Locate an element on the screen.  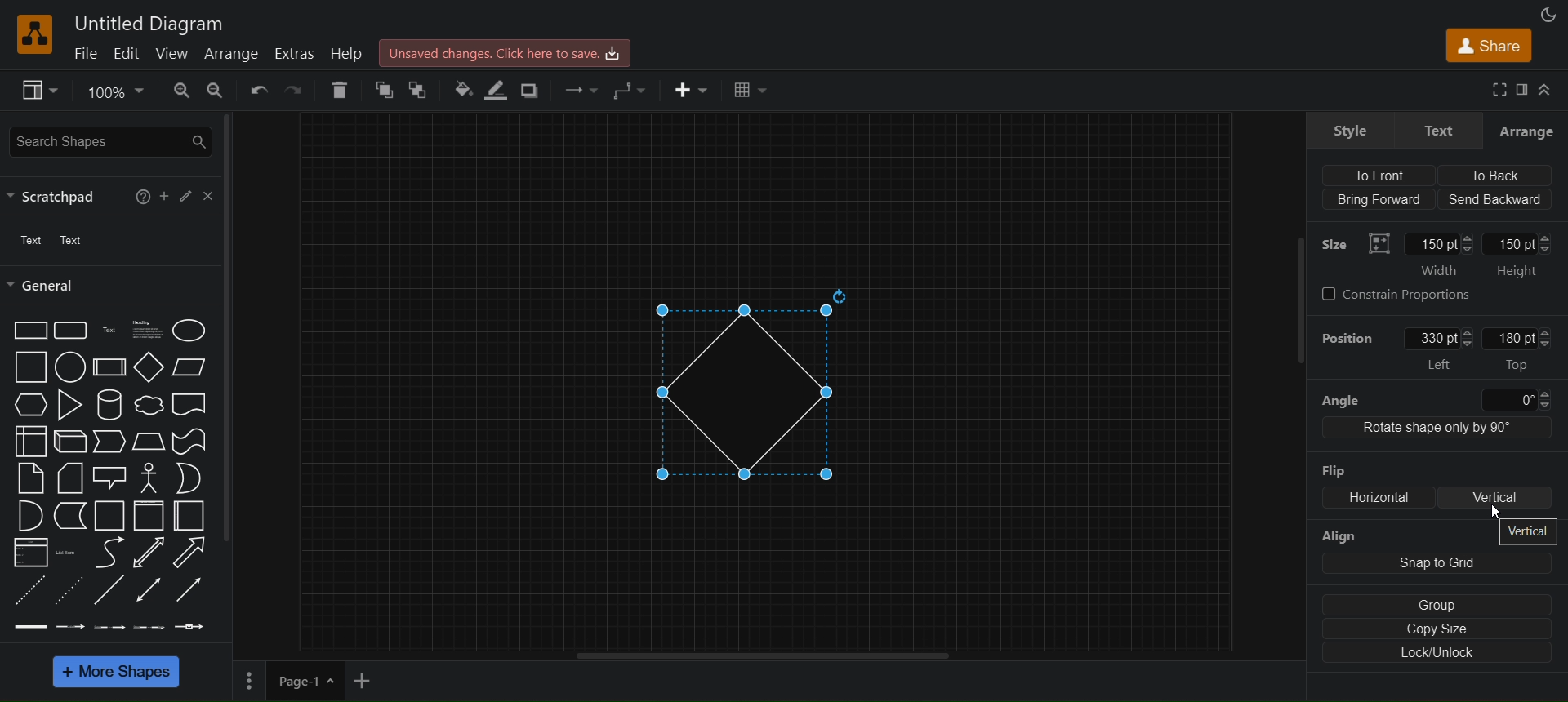
more shapes is located at coordinates (118, 671).